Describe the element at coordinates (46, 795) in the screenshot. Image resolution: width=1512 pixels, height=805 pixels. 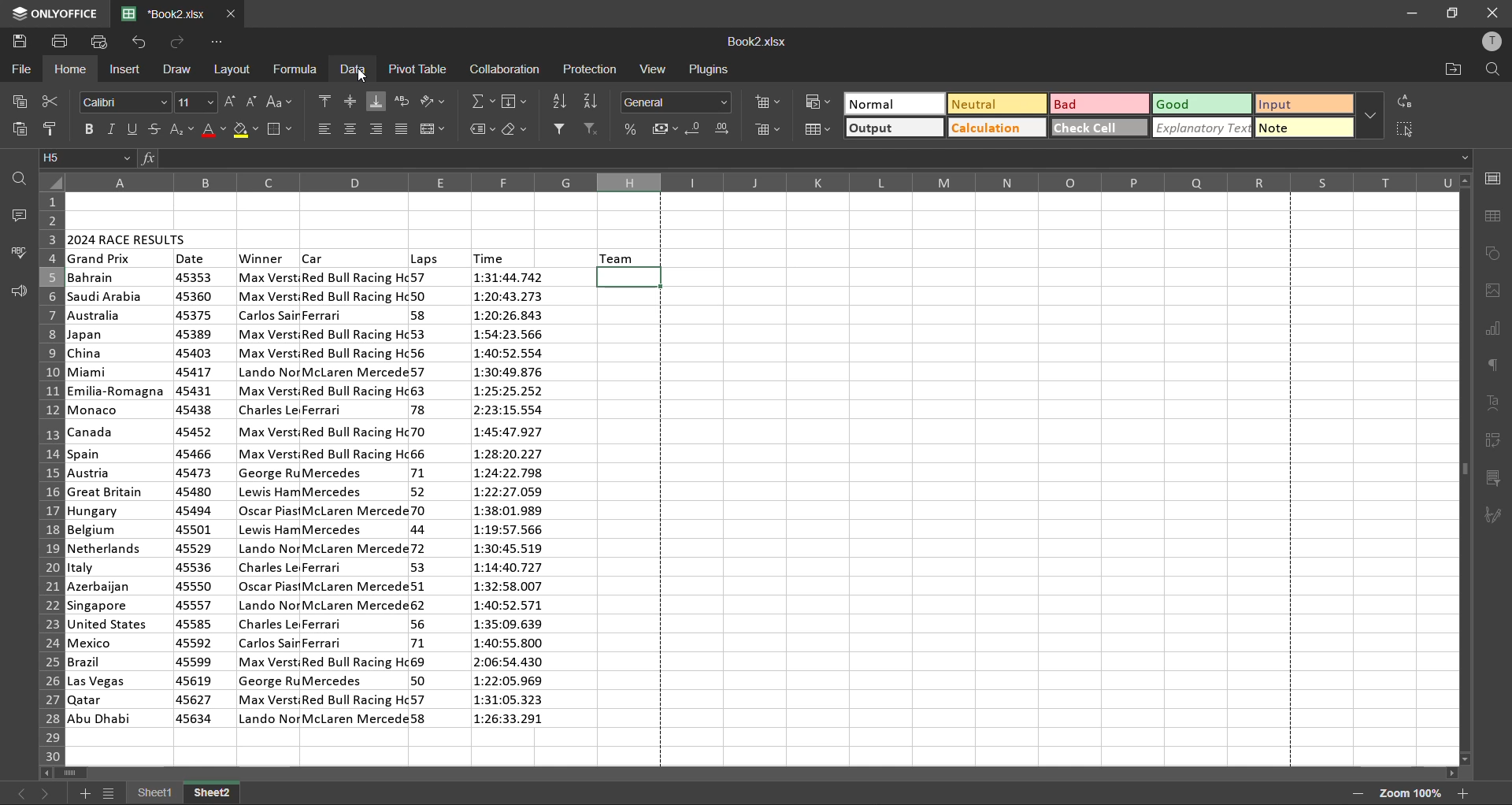
I see `next` at that location.